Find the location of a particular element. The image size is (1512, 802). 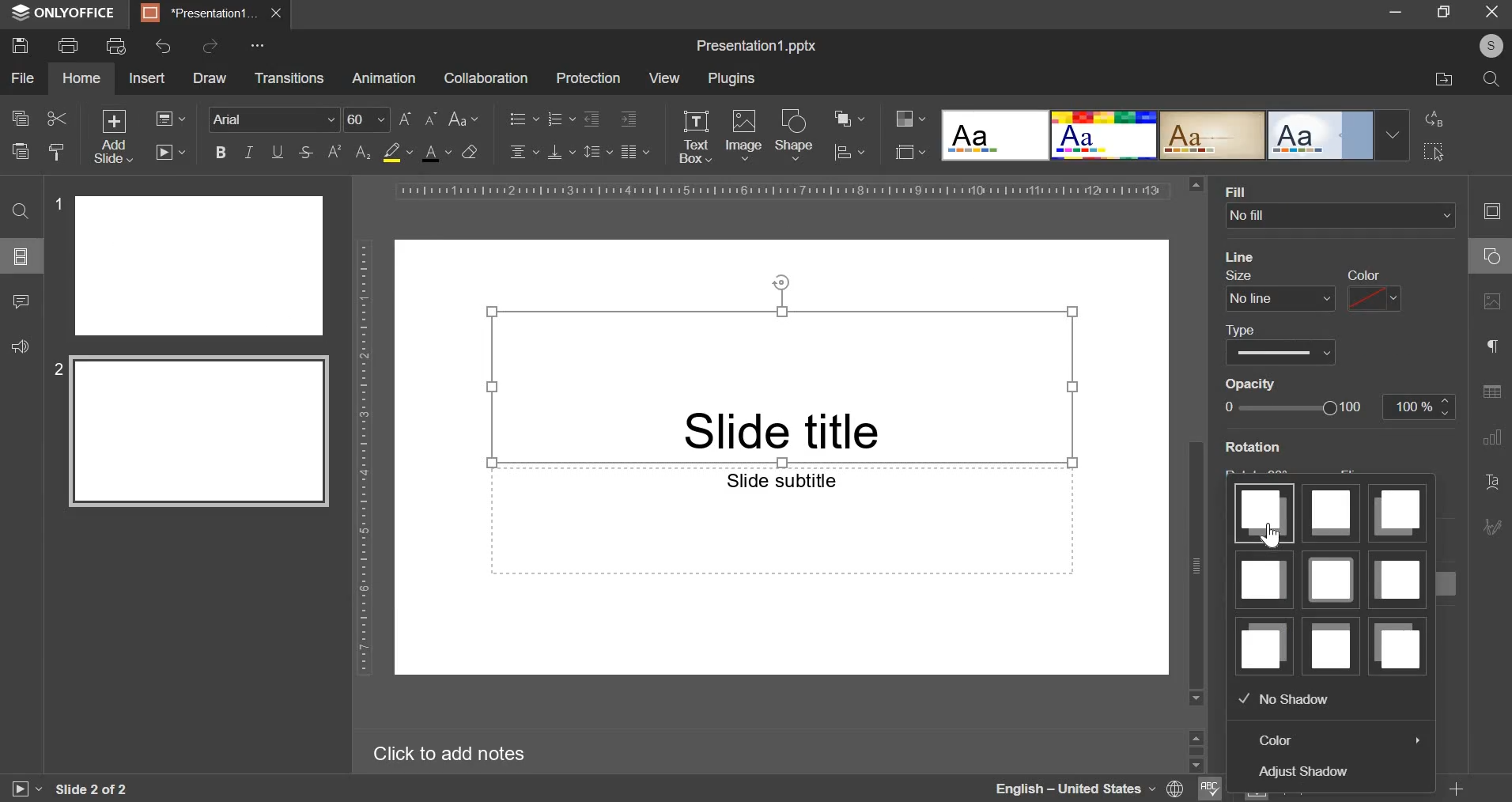

save is located at coordinates (19, 44).